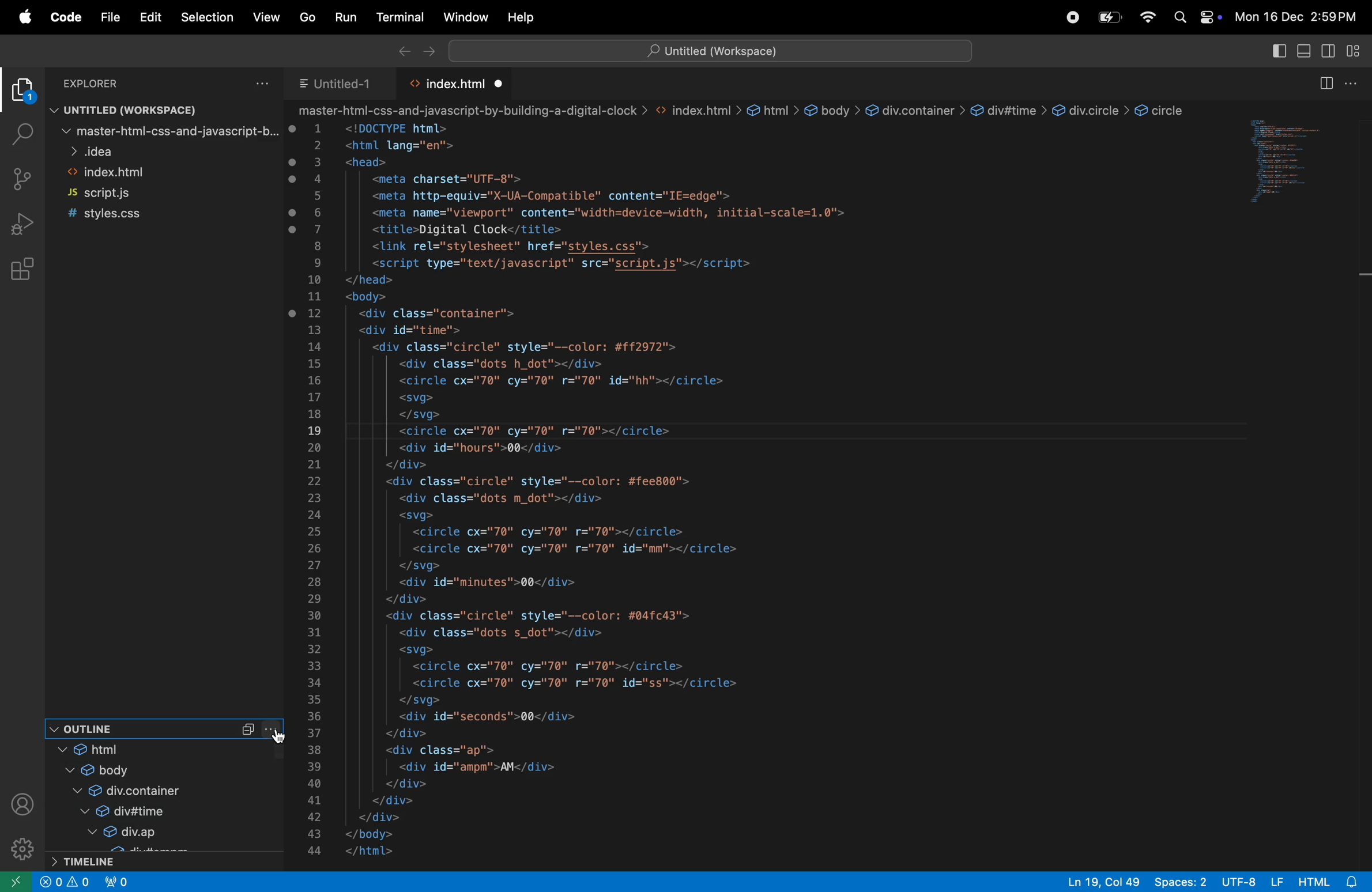 This screenshot has width=1372, height=892. I want to click on Collapse , so click(248, 730).